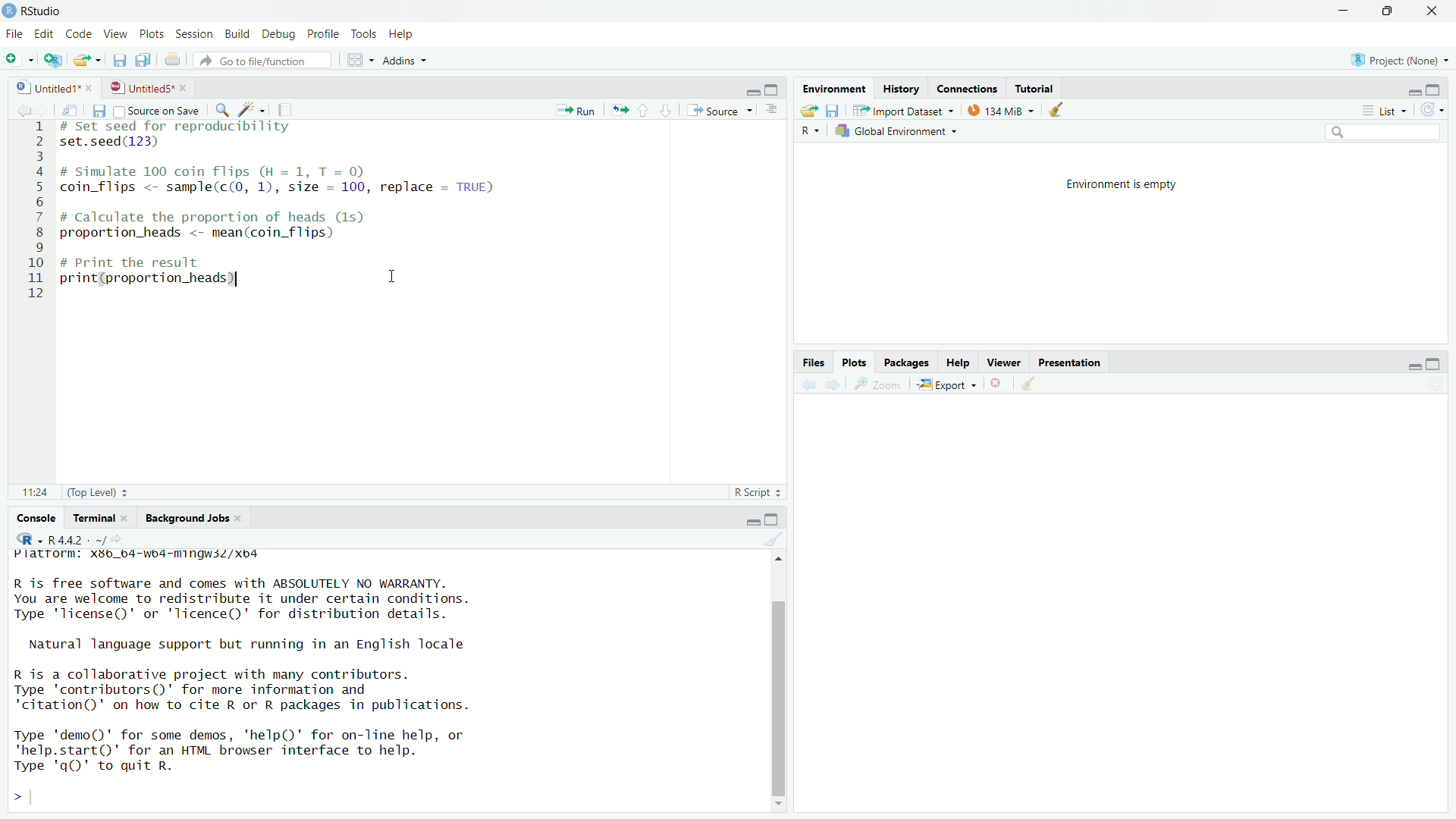  Describe the element at coordinates (644, 111) in the screenshot. I see `go to previous section/chunk` at that location.